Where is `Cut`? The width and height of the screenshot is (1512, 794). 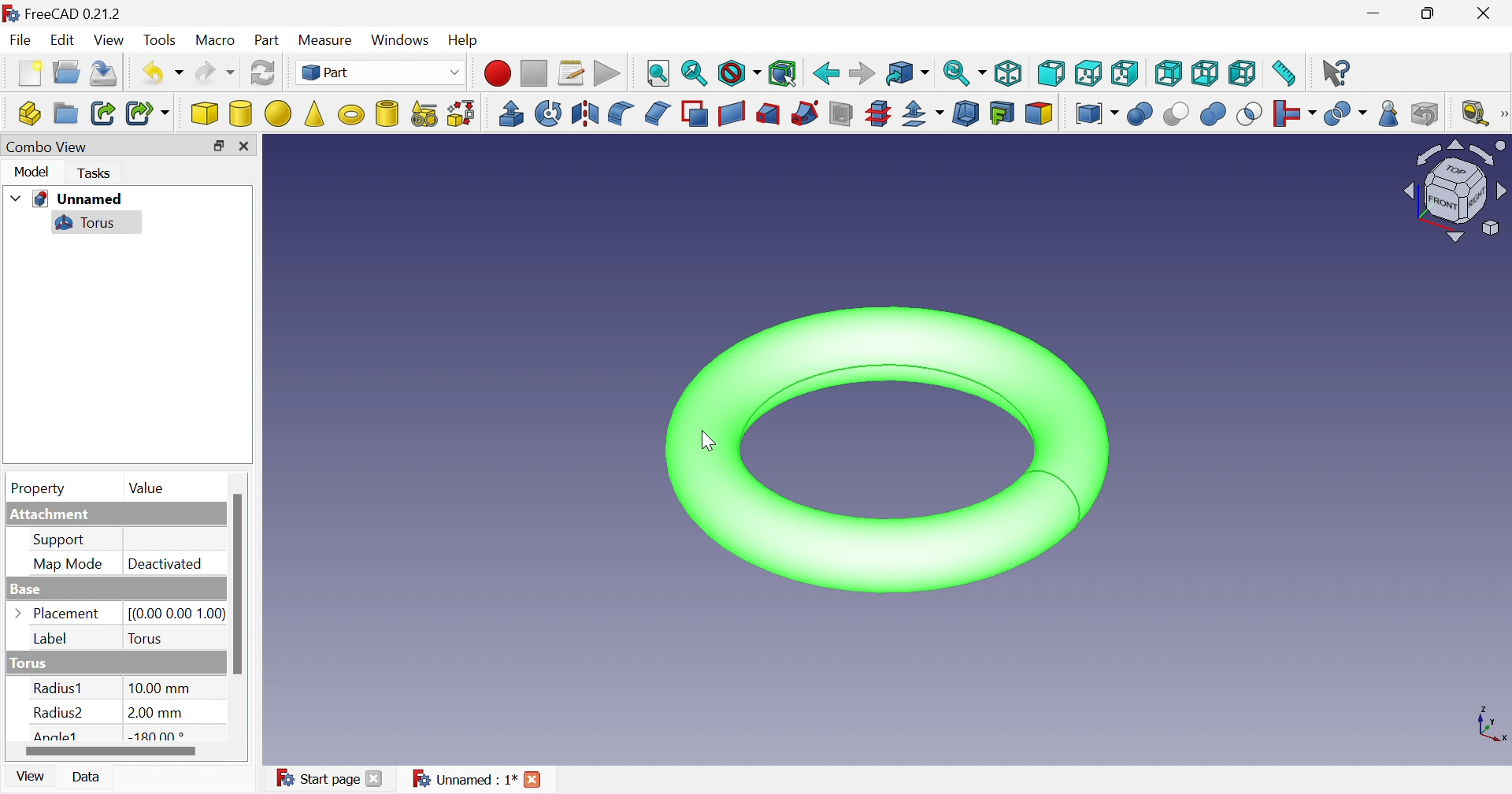
Cut is located at coordinates (1177, 117).